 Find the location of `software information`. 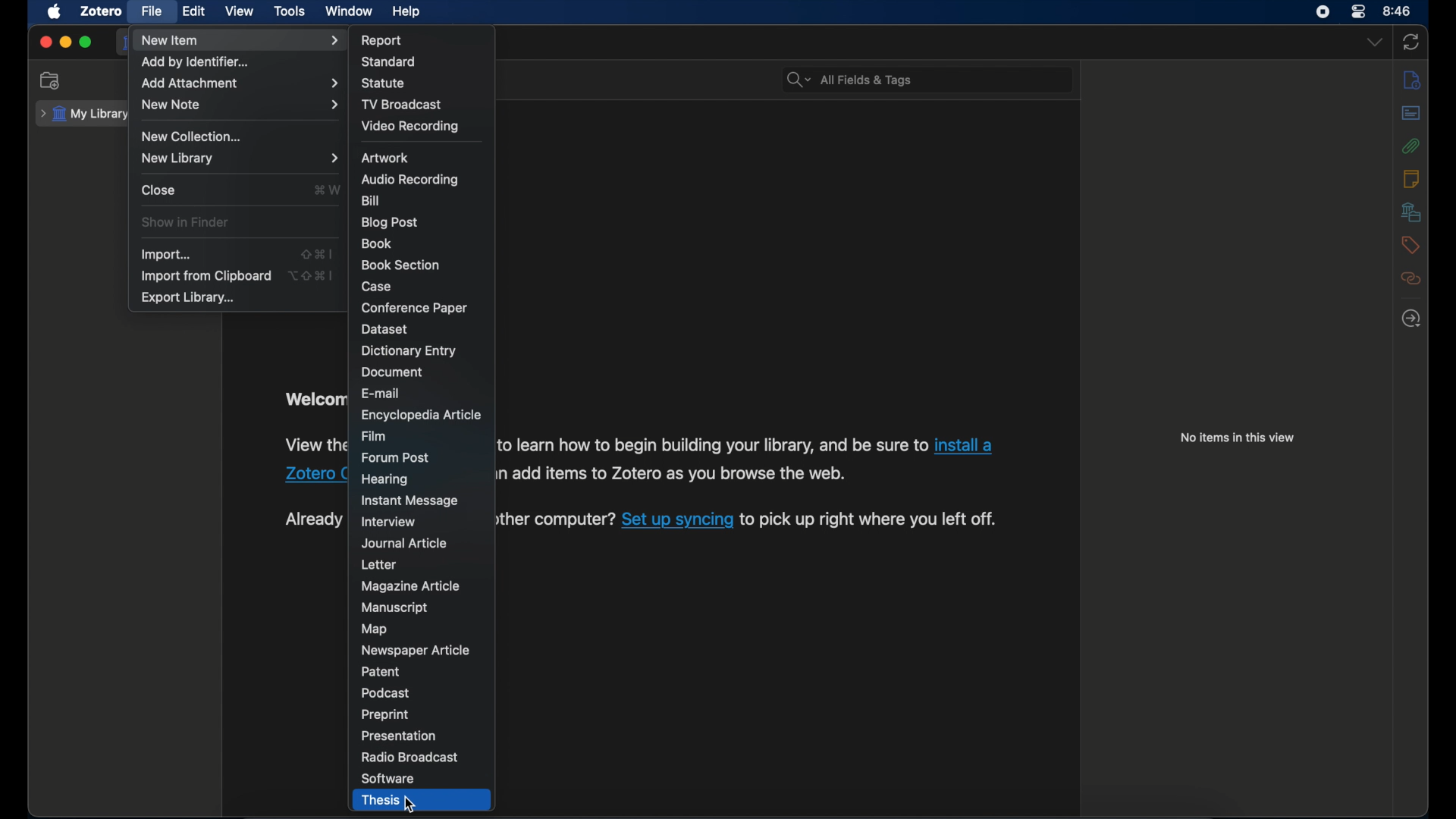

software information is located at coordinates (713, 444).